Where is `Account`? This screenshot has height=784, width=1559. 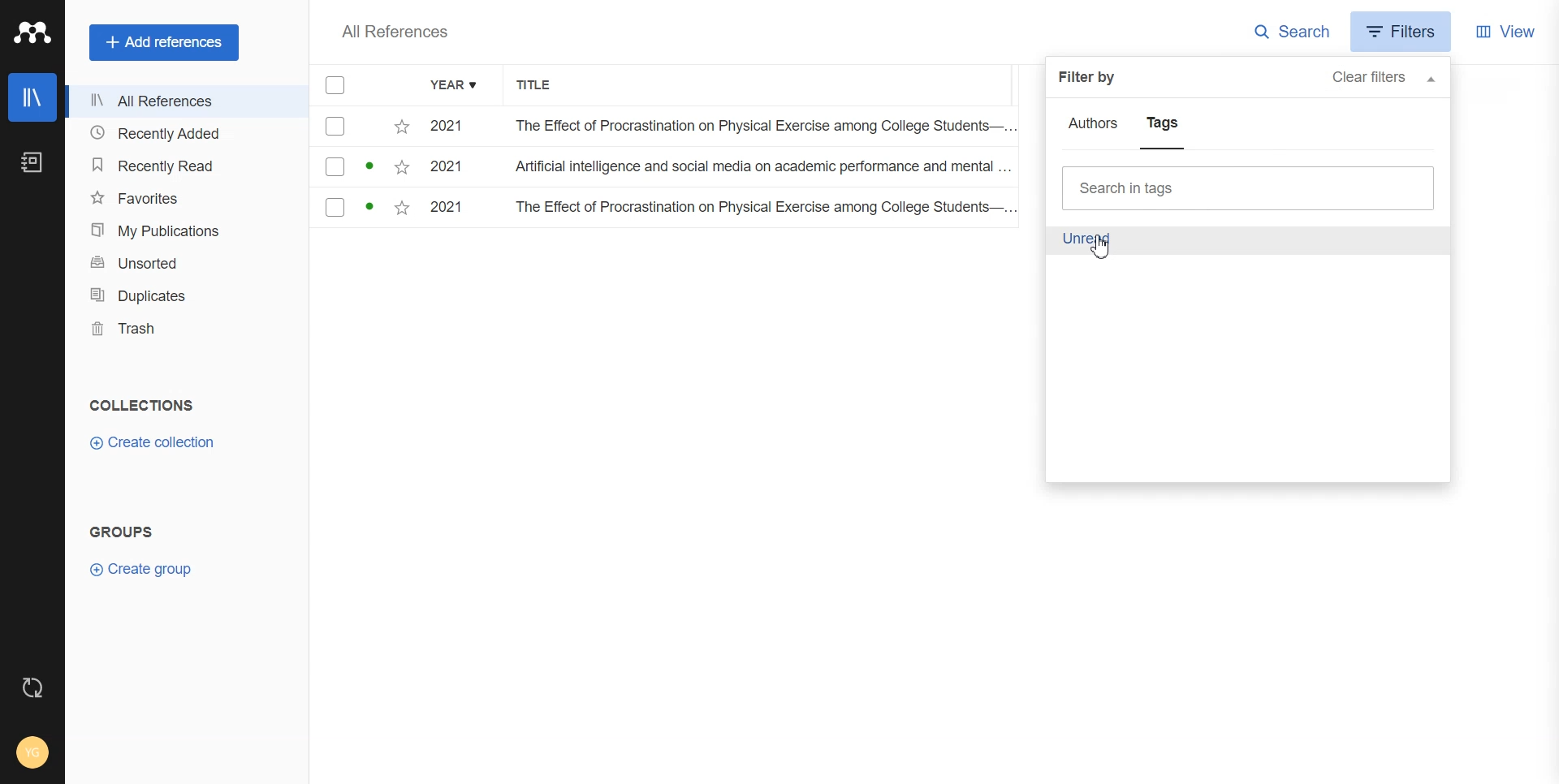
Account is located at coordinates (32, 752).